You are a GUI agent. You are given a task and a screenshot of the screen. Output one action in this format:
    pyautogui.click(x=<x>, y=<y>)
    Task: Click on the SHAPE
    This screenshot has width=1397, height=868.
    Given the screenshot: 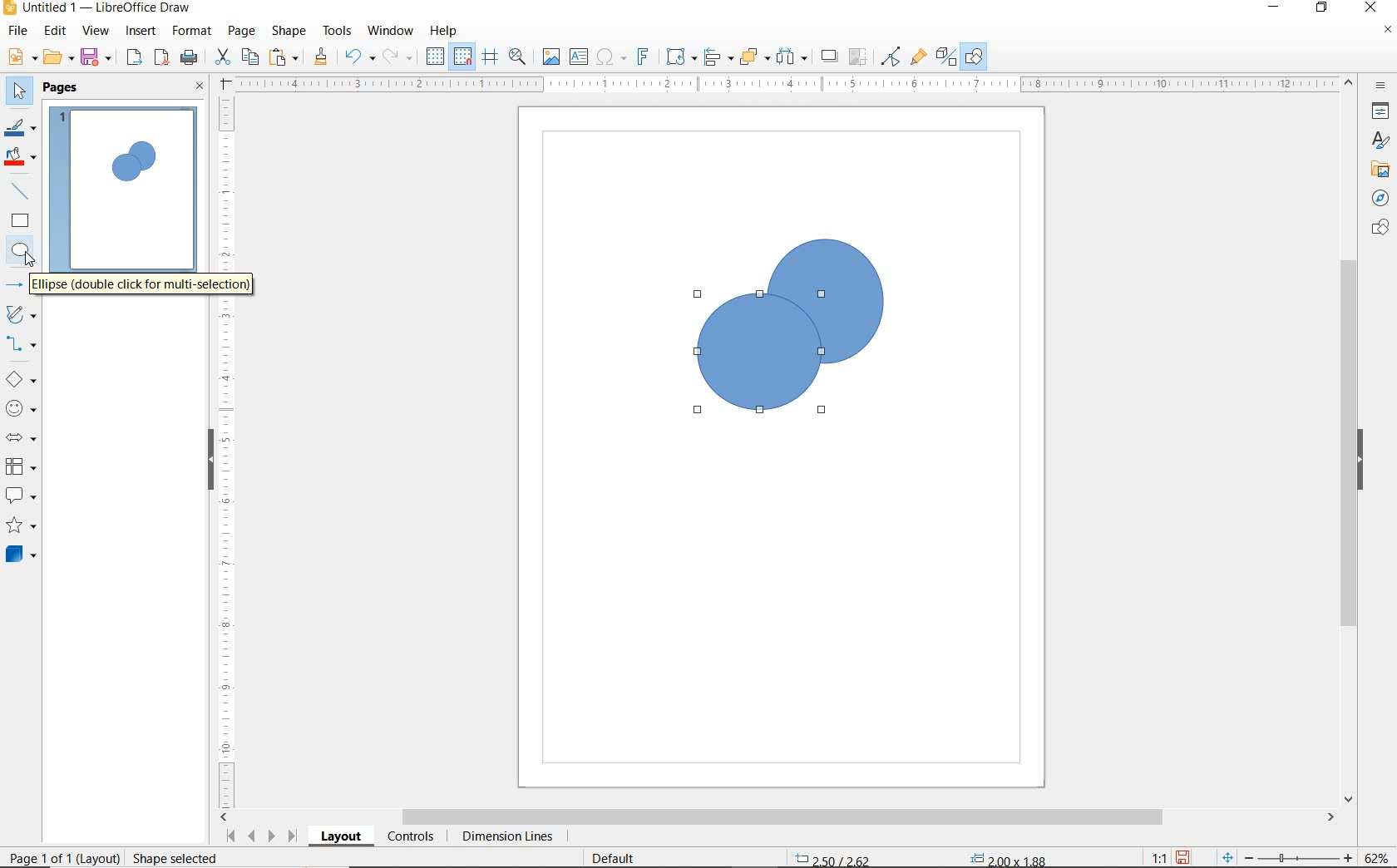 What is the action you would take?
    pyautogui.click(x=290, y=33)
    